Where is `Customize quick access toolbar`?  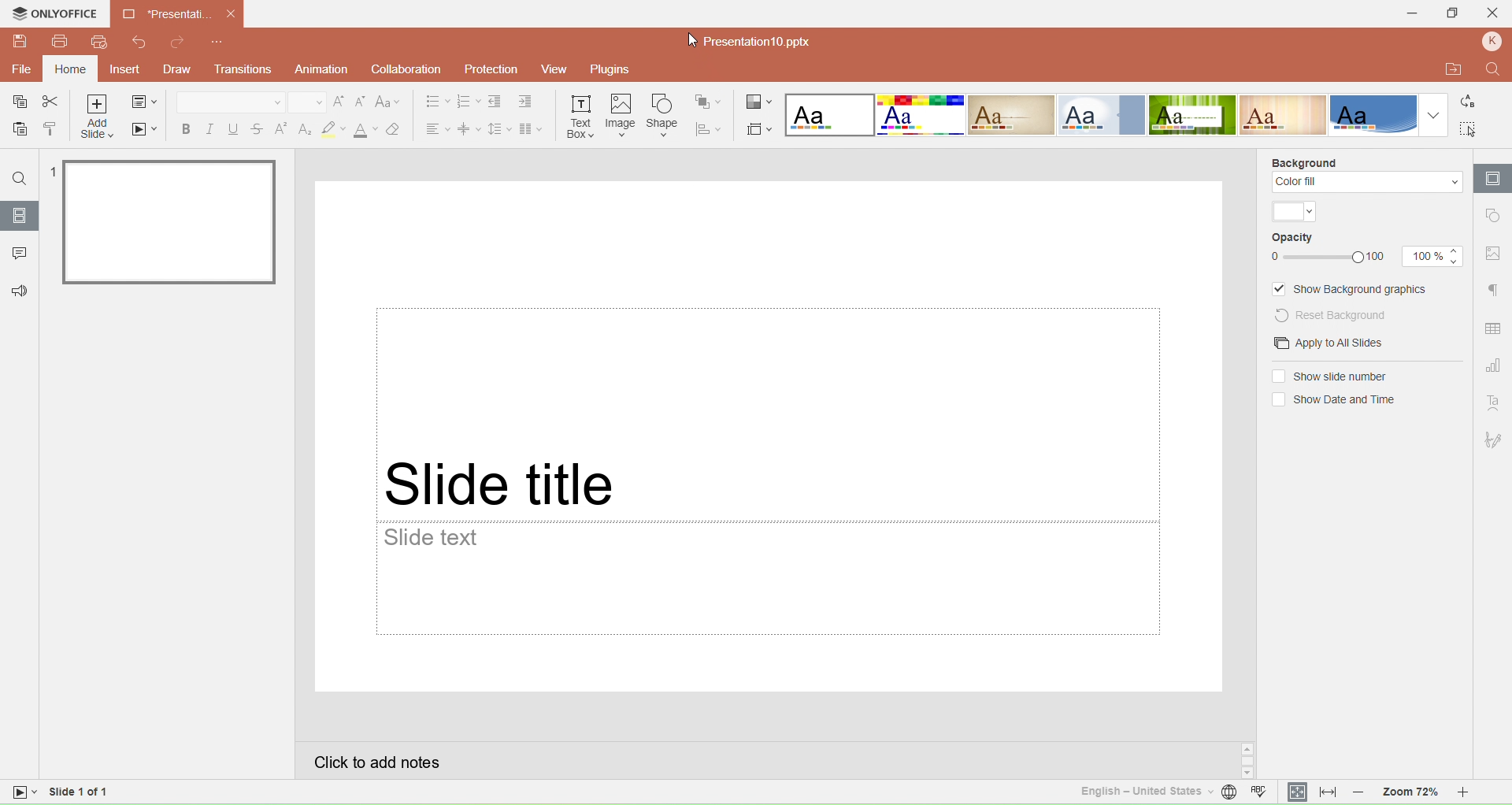
Customize quick access toolbar is located at coordinates (218, 43).